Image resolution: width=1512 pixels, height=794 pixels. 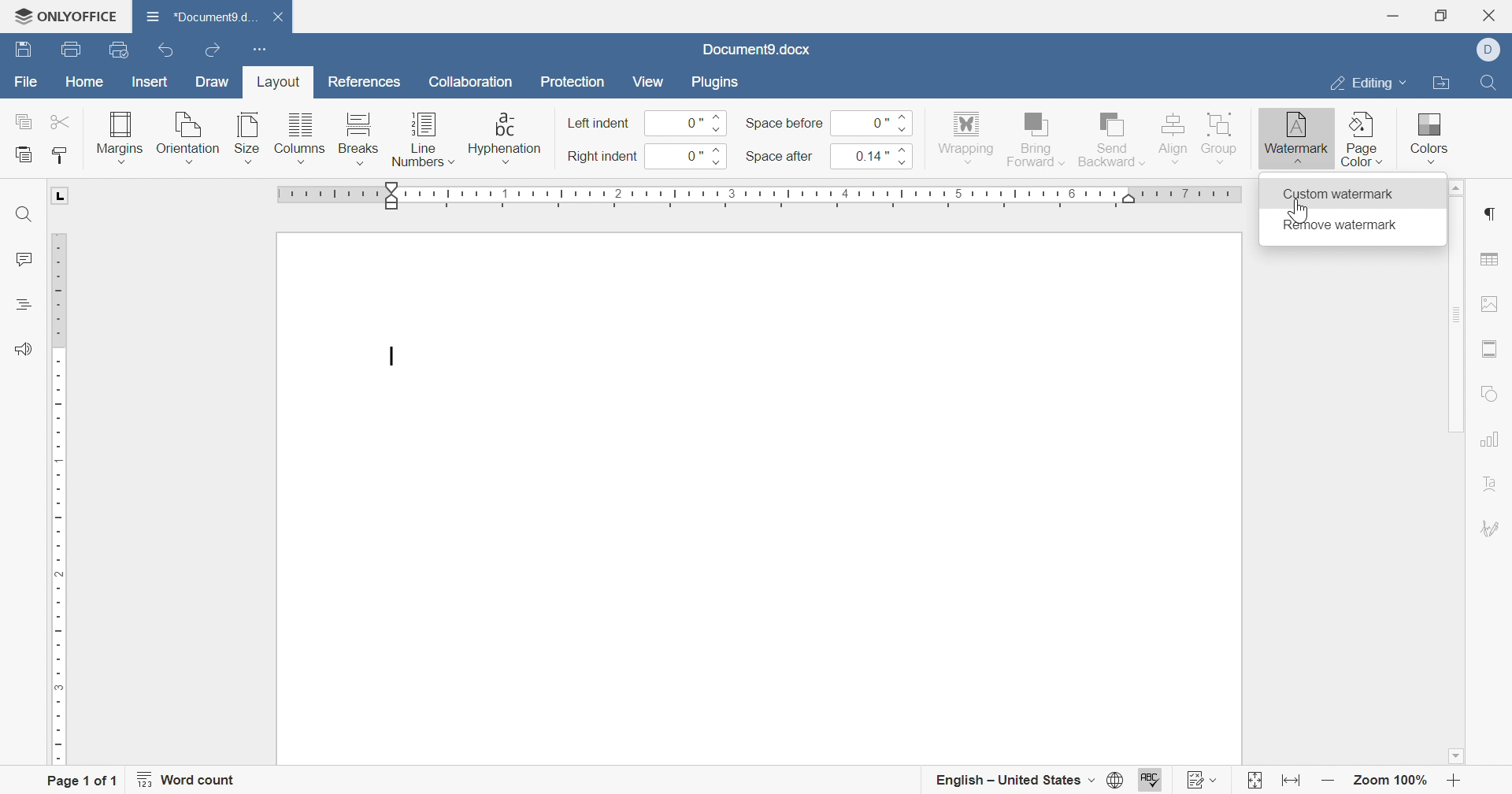 I want to click on open file location, so click(x=1440, y=84).